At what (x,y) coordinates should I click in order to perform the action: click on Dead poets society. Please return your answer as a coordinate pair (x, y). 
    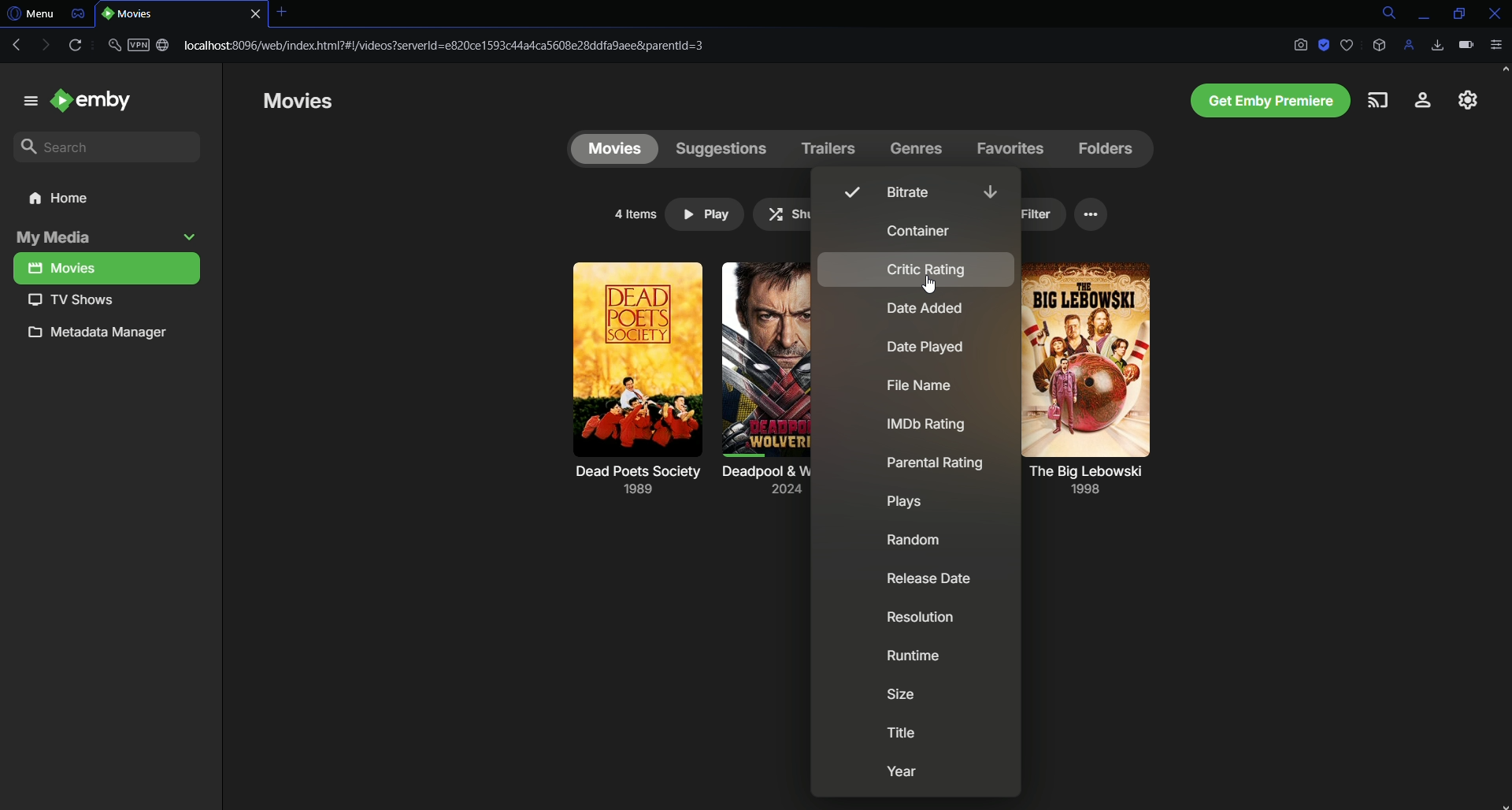
    Looking at the image, I should click on (631, 359).